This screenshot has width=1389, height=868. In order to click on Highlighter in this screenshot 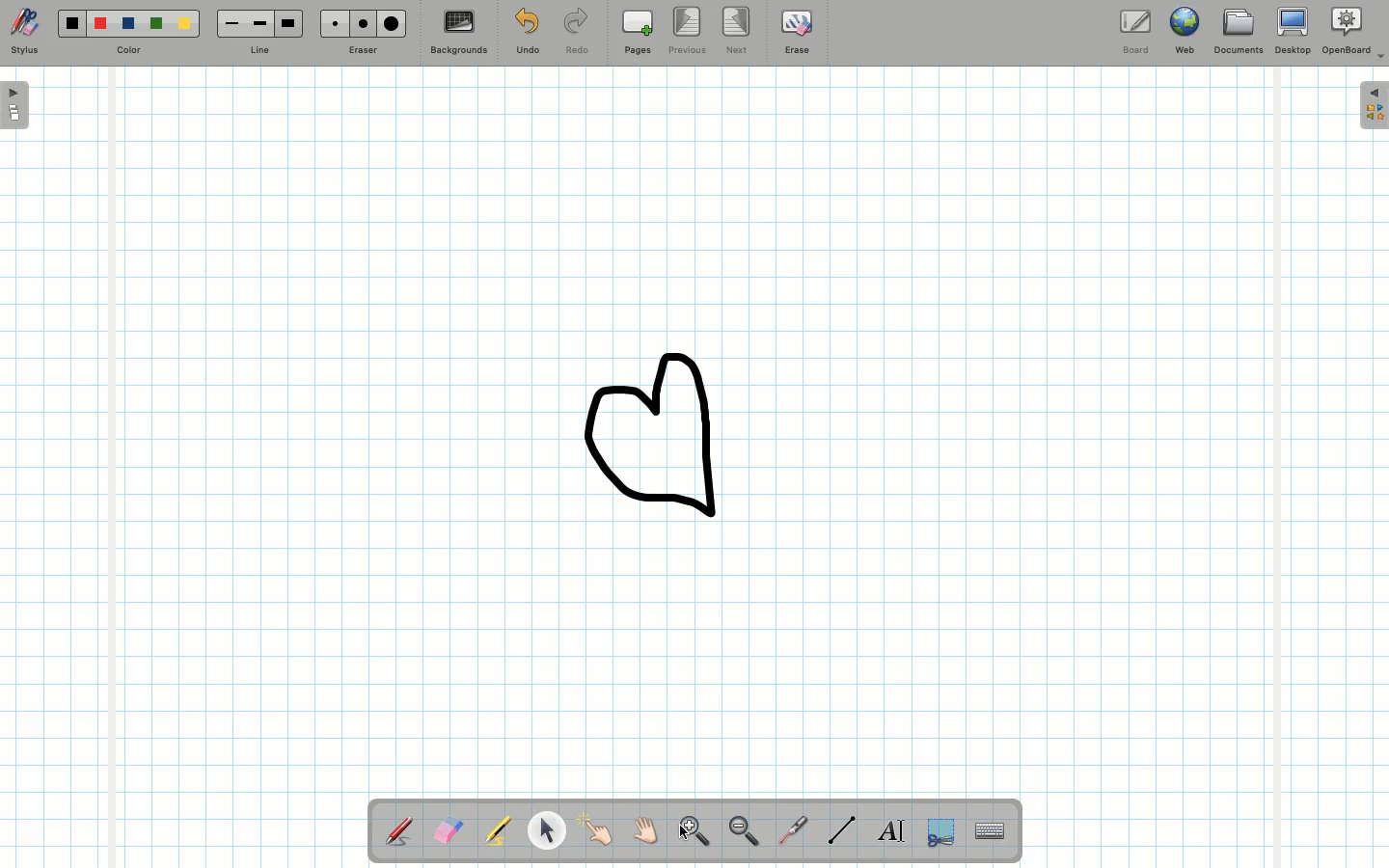, I will do `click(498, 832)`.